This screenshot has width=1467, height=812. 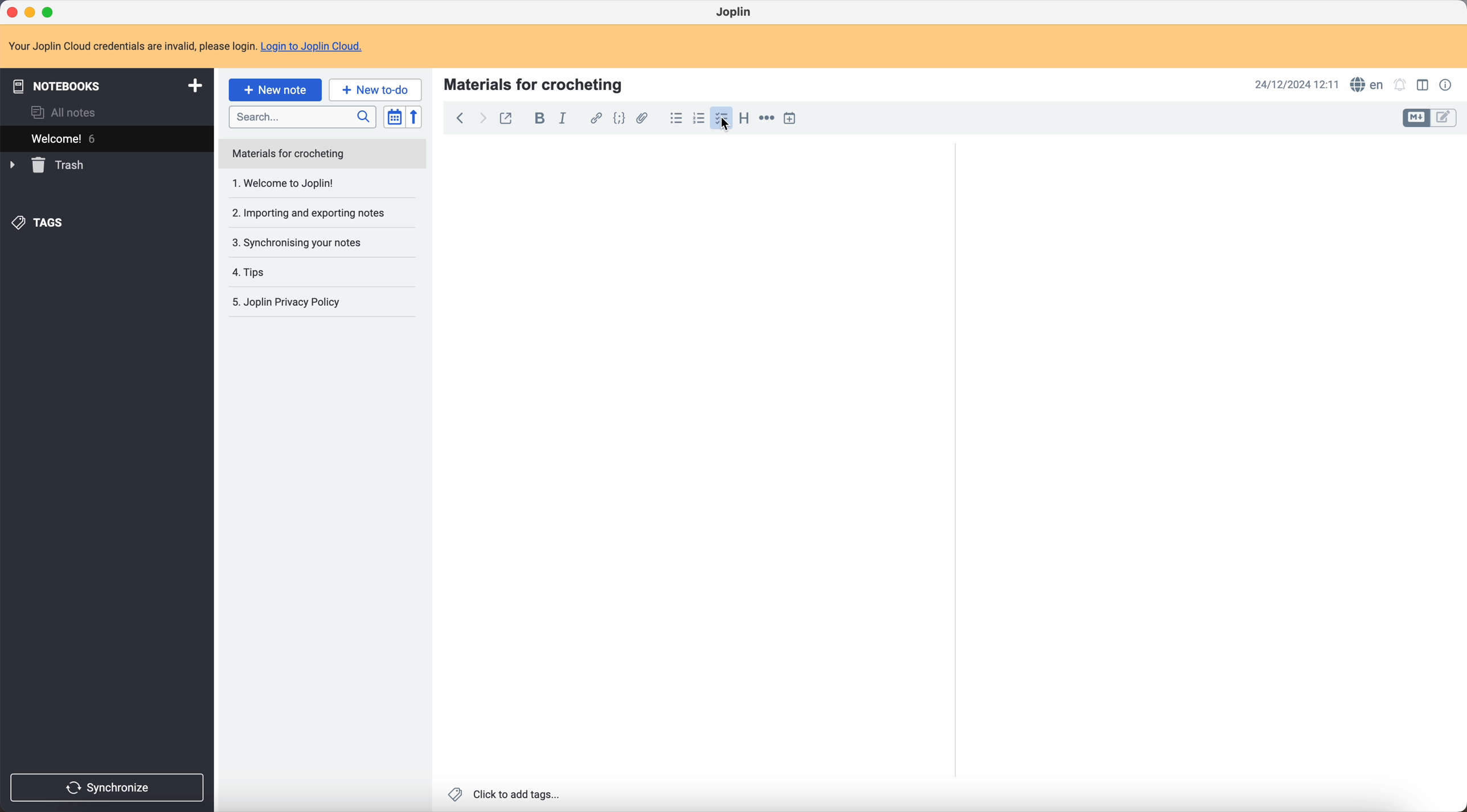 I want to click on note, so click(x=323, y=154).